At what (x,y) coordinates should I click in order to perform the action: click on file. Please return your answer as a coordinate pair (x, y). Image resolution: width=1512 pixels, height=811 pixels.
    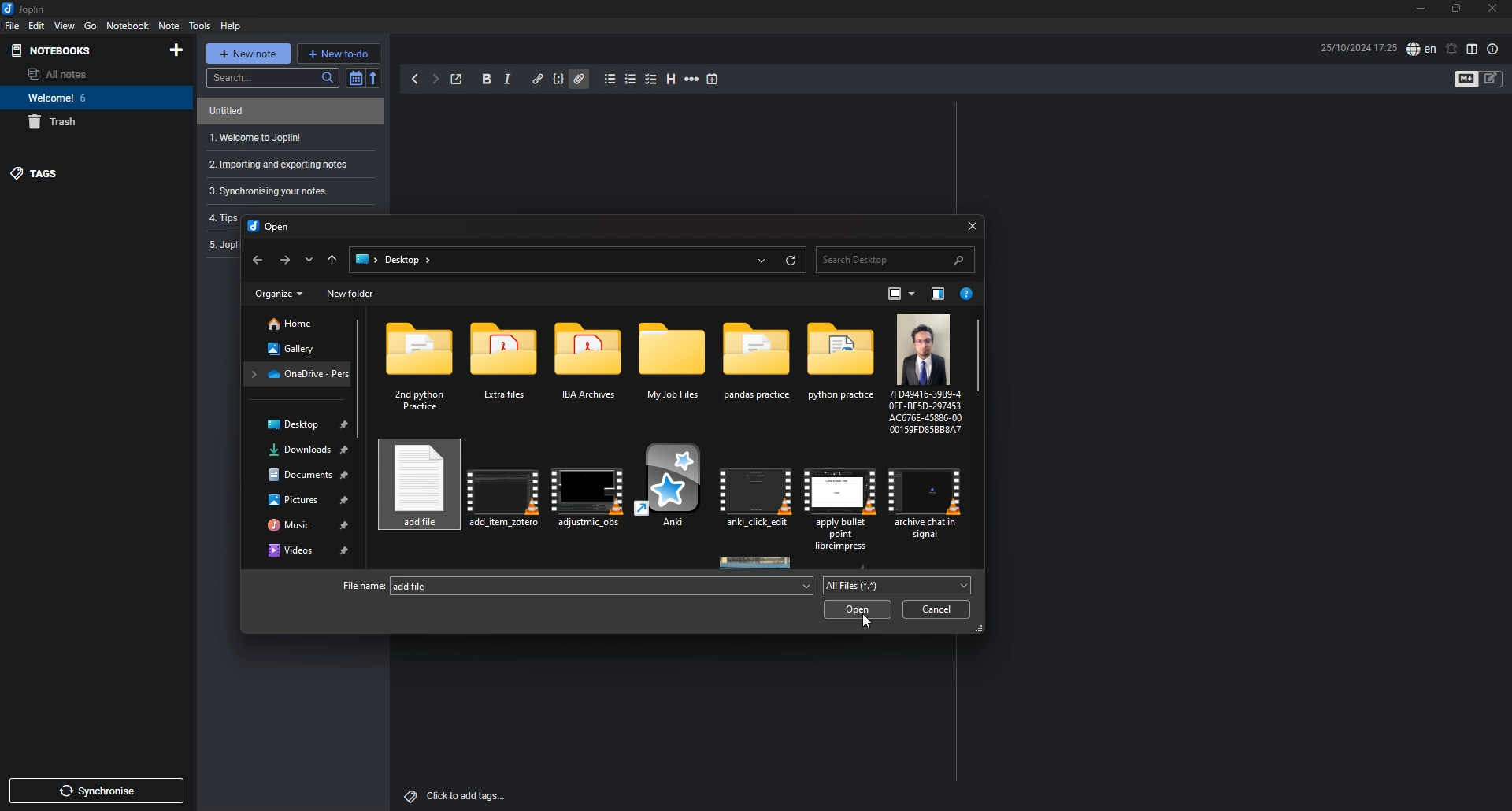
    Looking at the image, I should click on (587, 489).